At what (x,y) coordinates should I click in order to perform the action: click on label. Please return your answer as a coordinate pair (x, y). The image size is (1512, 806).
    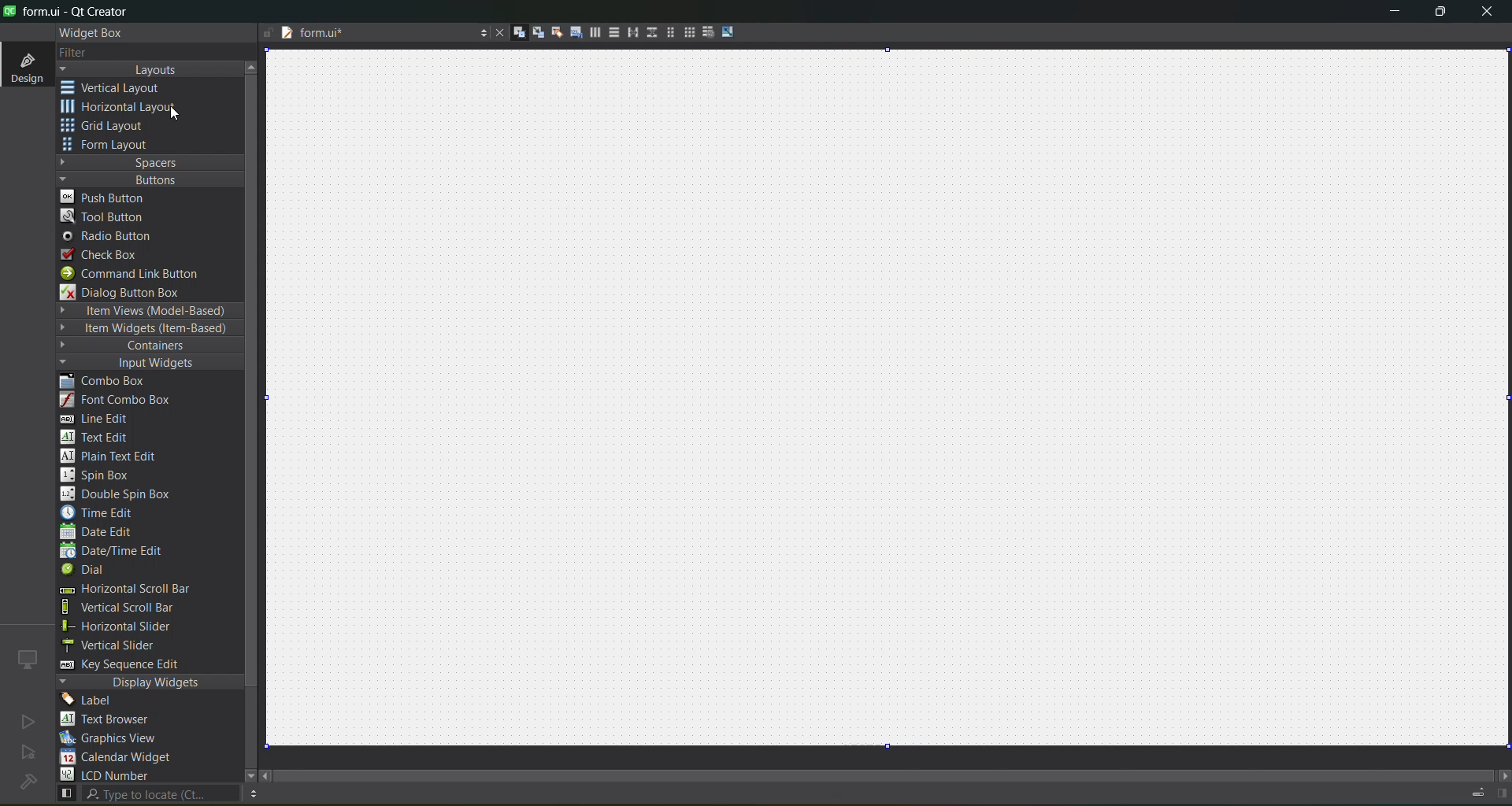
    Looking at the image, I should click on (91, 701).